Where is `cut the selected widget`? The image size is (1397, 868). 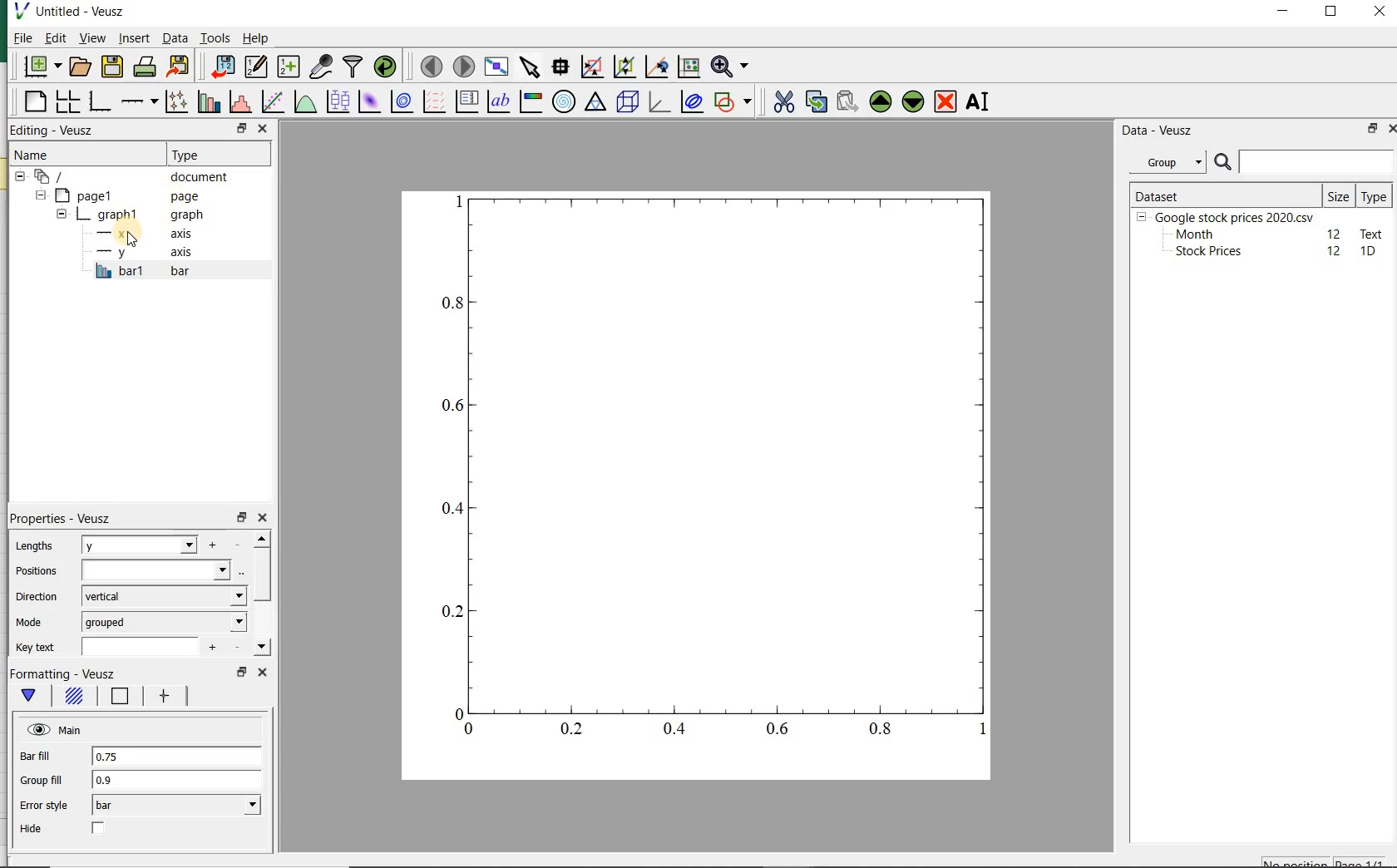
cut the selected widget is located at coordinates (785, 104).